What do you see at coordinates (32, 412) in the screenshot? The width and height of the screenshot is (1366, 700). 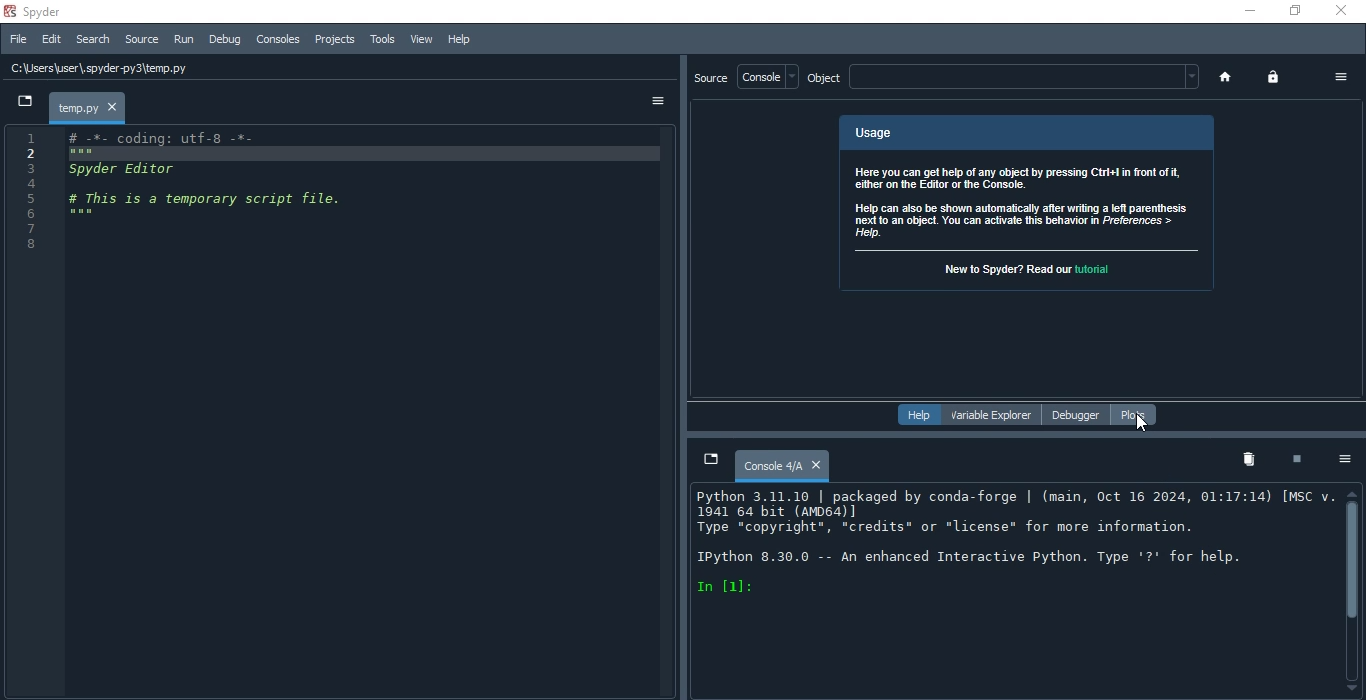 I see `line number` at bounding box center [32, 412].